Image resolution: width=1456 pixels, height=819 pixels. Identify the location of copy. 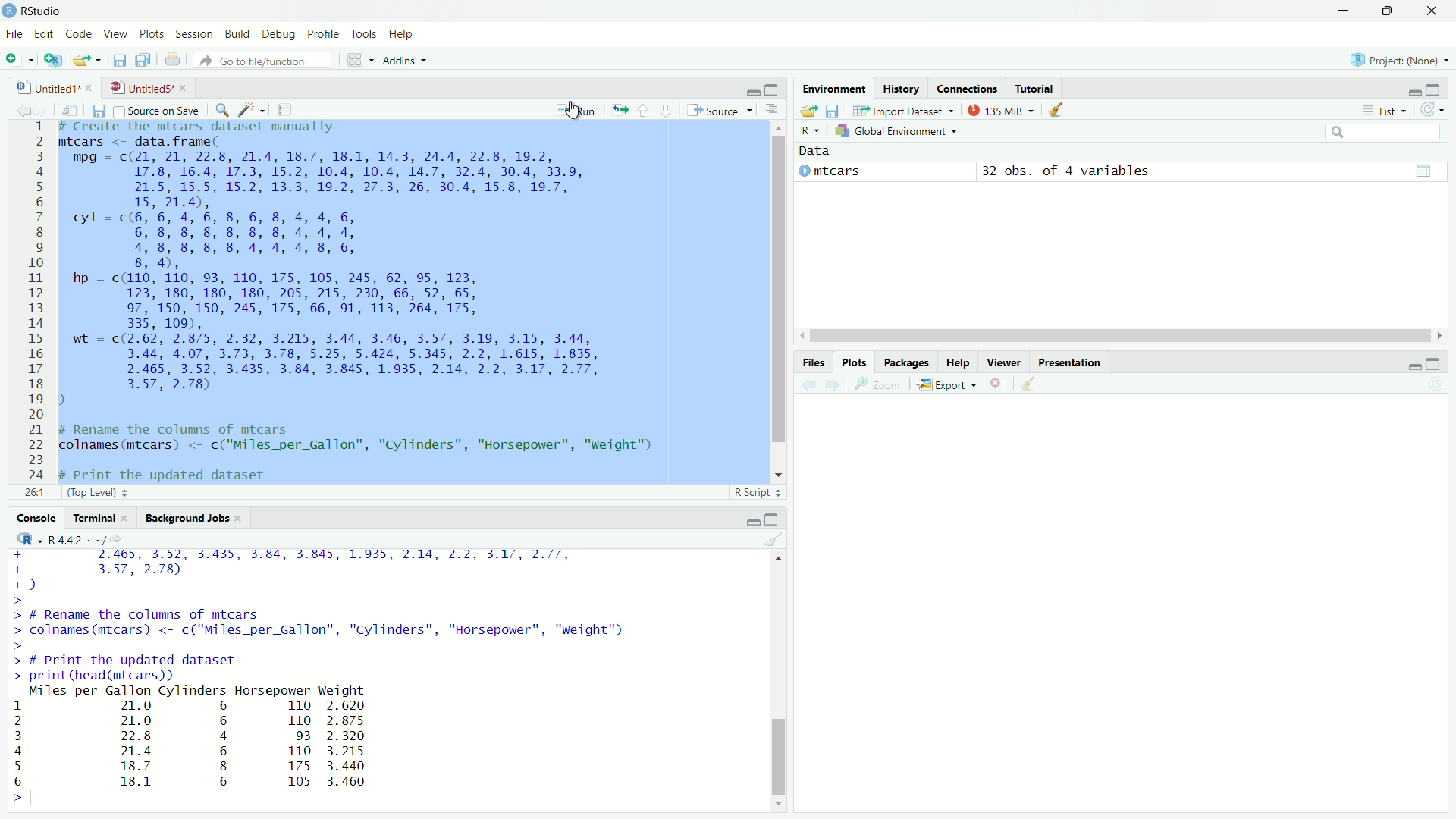
(144, 60).